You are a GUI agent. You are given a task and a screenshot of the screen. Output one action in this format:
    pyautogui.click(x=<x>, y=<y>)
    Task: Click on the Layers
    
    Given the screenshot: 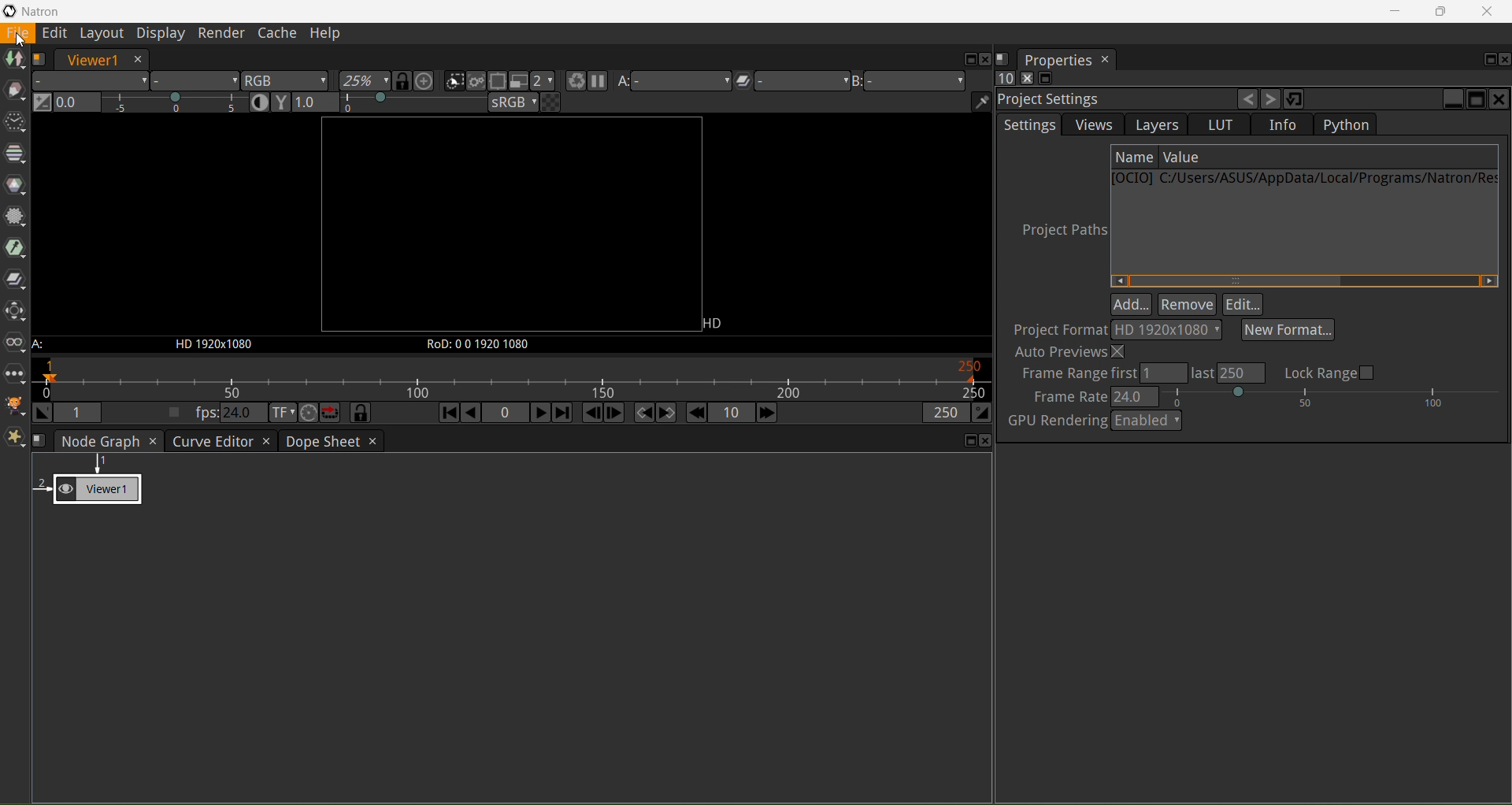 What is the action you would take?
    pyautogui.click(x=1158, y=126)
    